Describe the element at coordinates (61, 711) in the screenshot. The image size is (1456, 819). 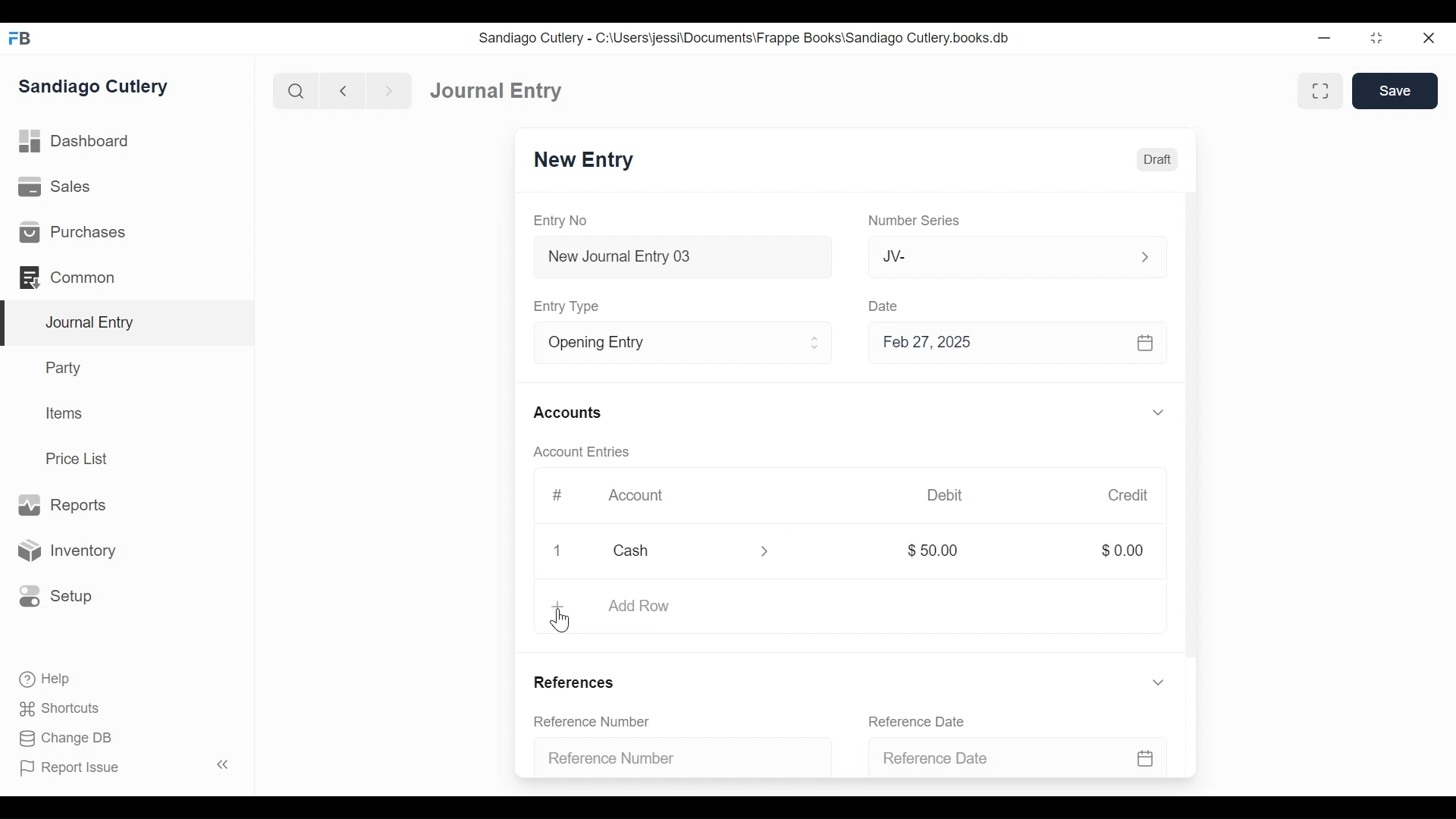
I see `Shortcuts` at that location.